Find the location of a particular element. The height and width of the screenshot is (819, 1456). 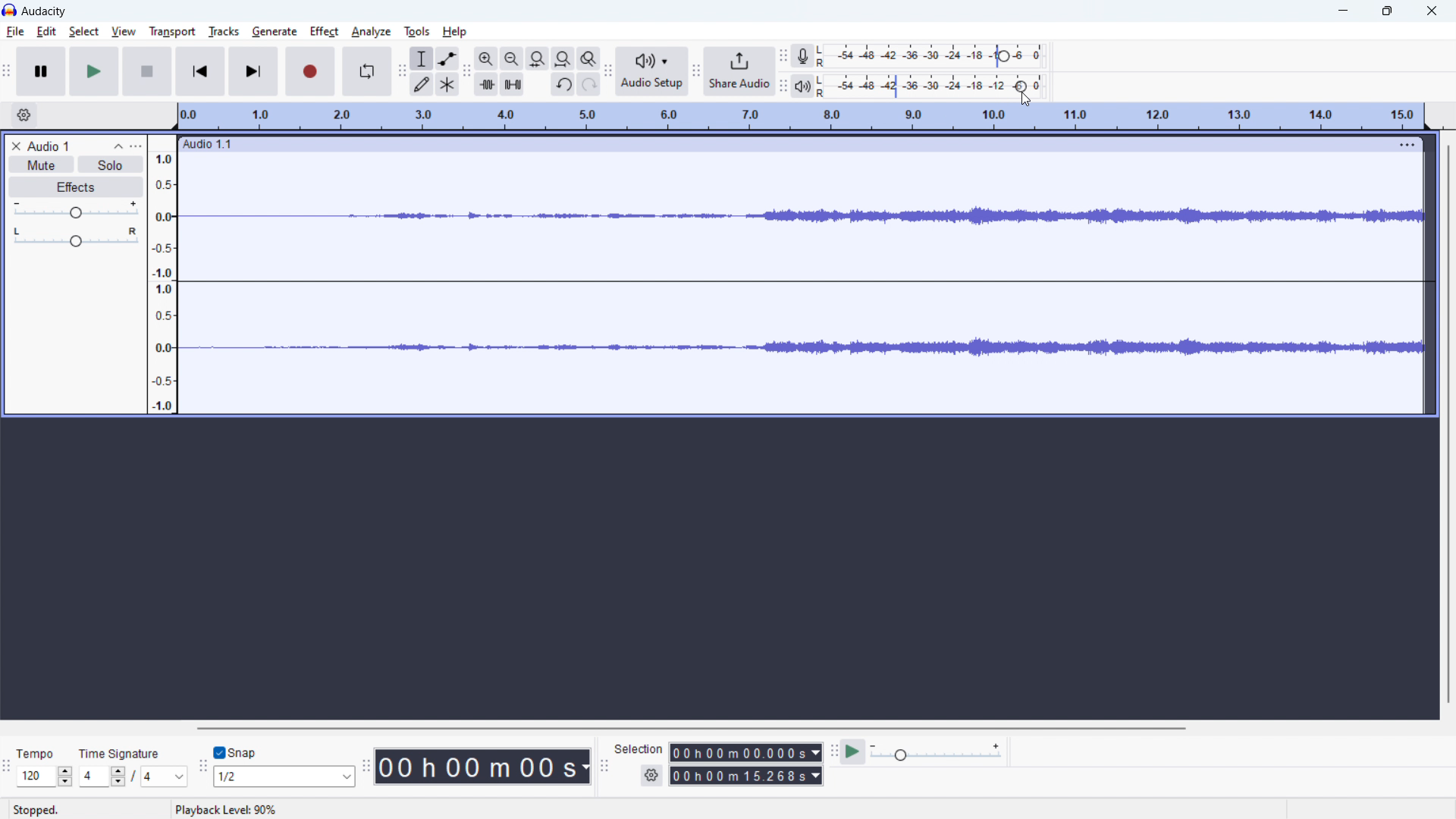

select is located at coordinates (84, 31).